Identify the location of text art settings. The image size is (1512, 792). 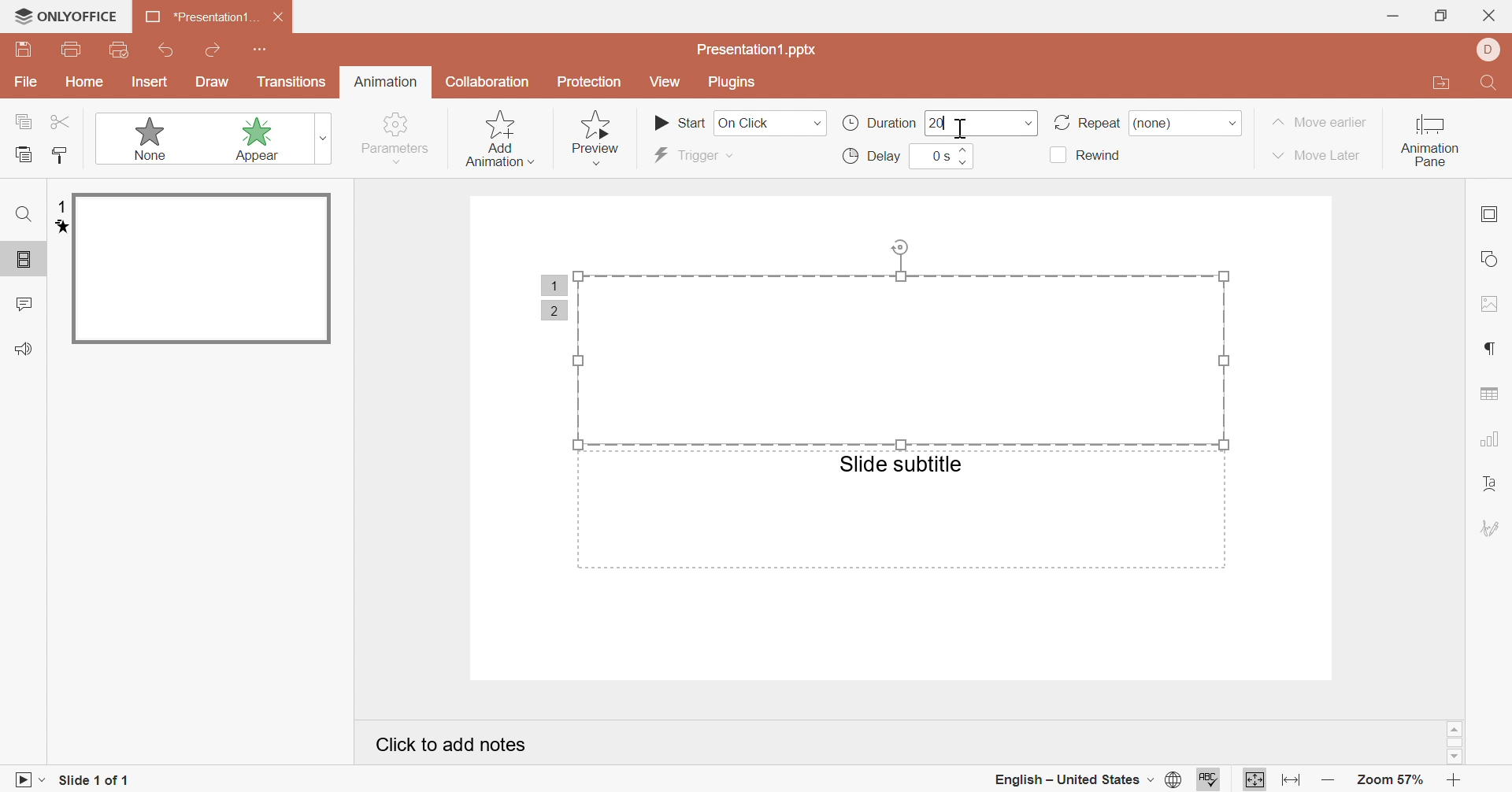
(1492, 486).